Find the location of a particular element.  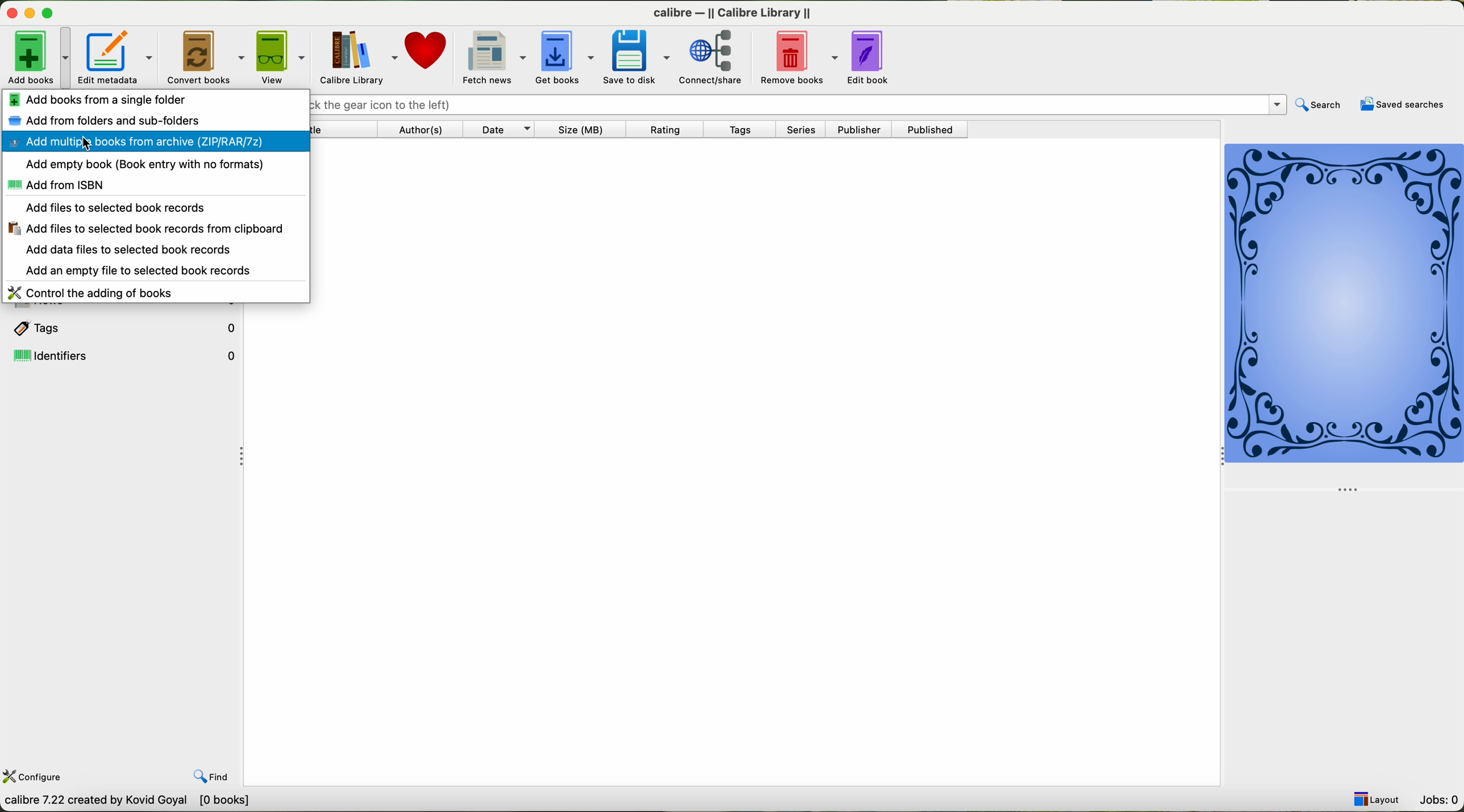

publisher is located at coordinates (863, 130).